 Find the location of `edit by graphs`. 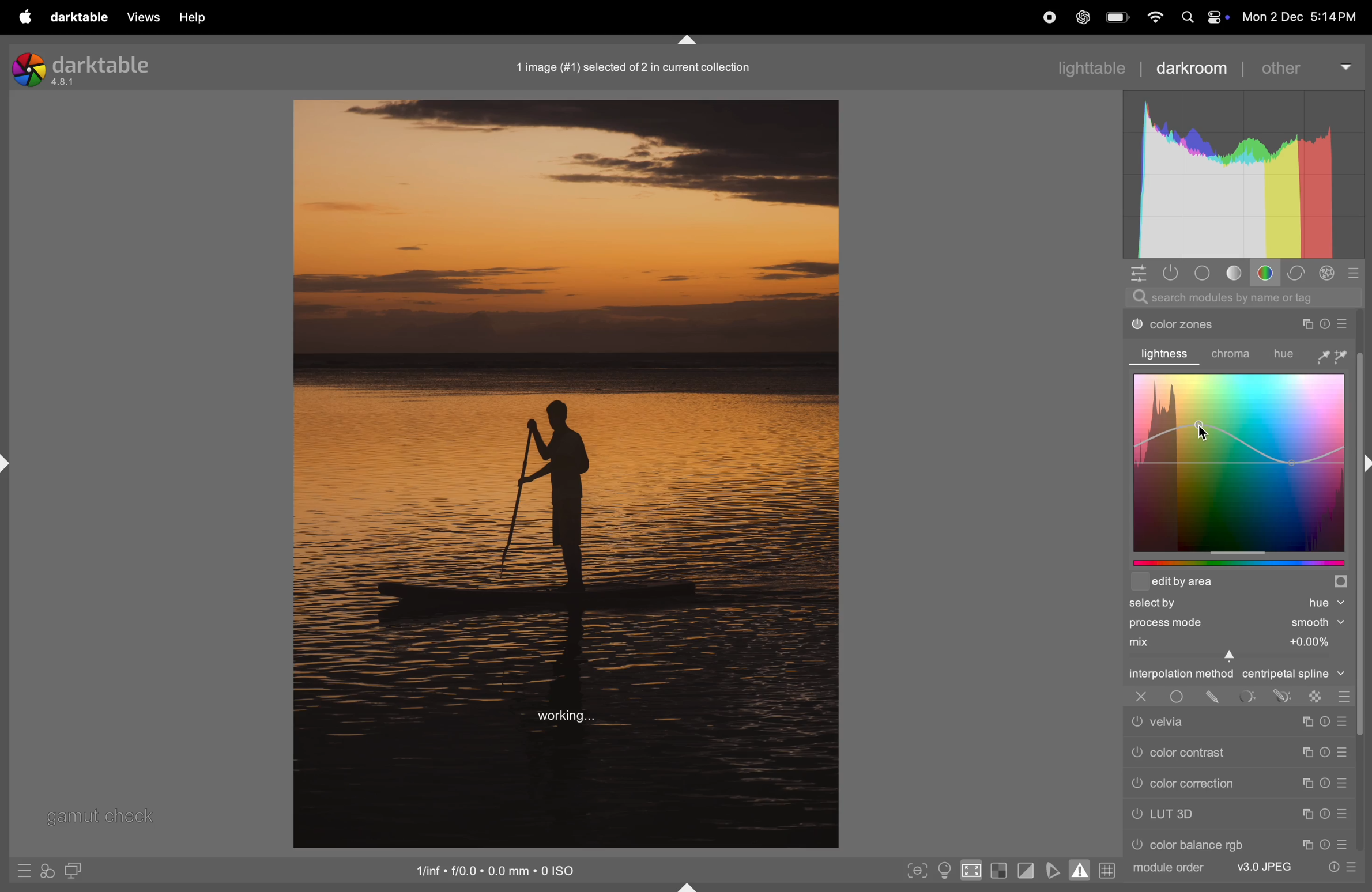

edit by graphs is located at coordinates (1243, 565).